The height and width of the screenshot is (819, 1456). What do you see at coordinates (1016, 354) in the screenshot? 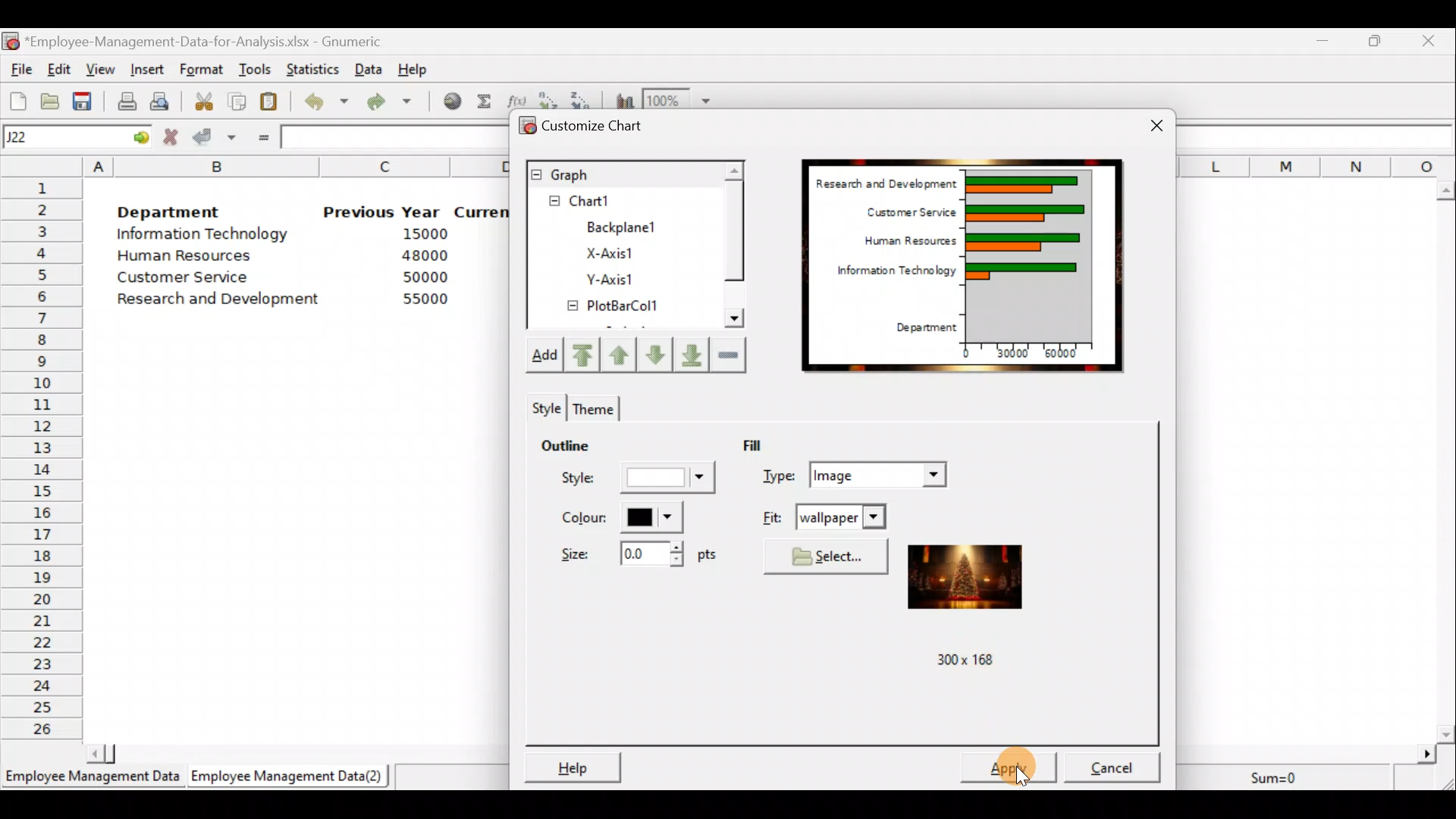
I see `30000` at bounding box center [1016, 354].